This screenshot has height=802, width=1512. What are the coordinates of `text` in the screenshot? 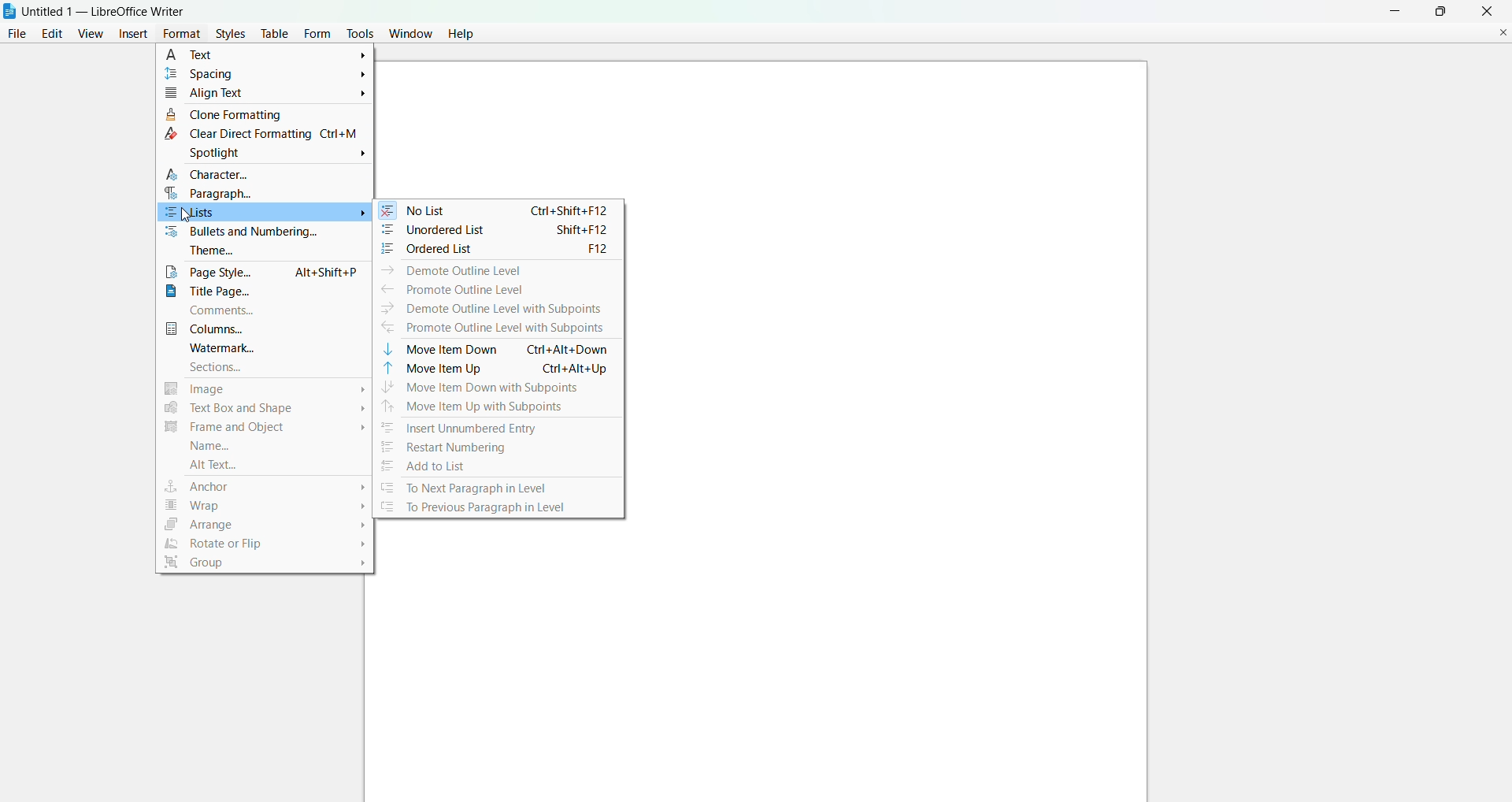 It's located at (269, 54).